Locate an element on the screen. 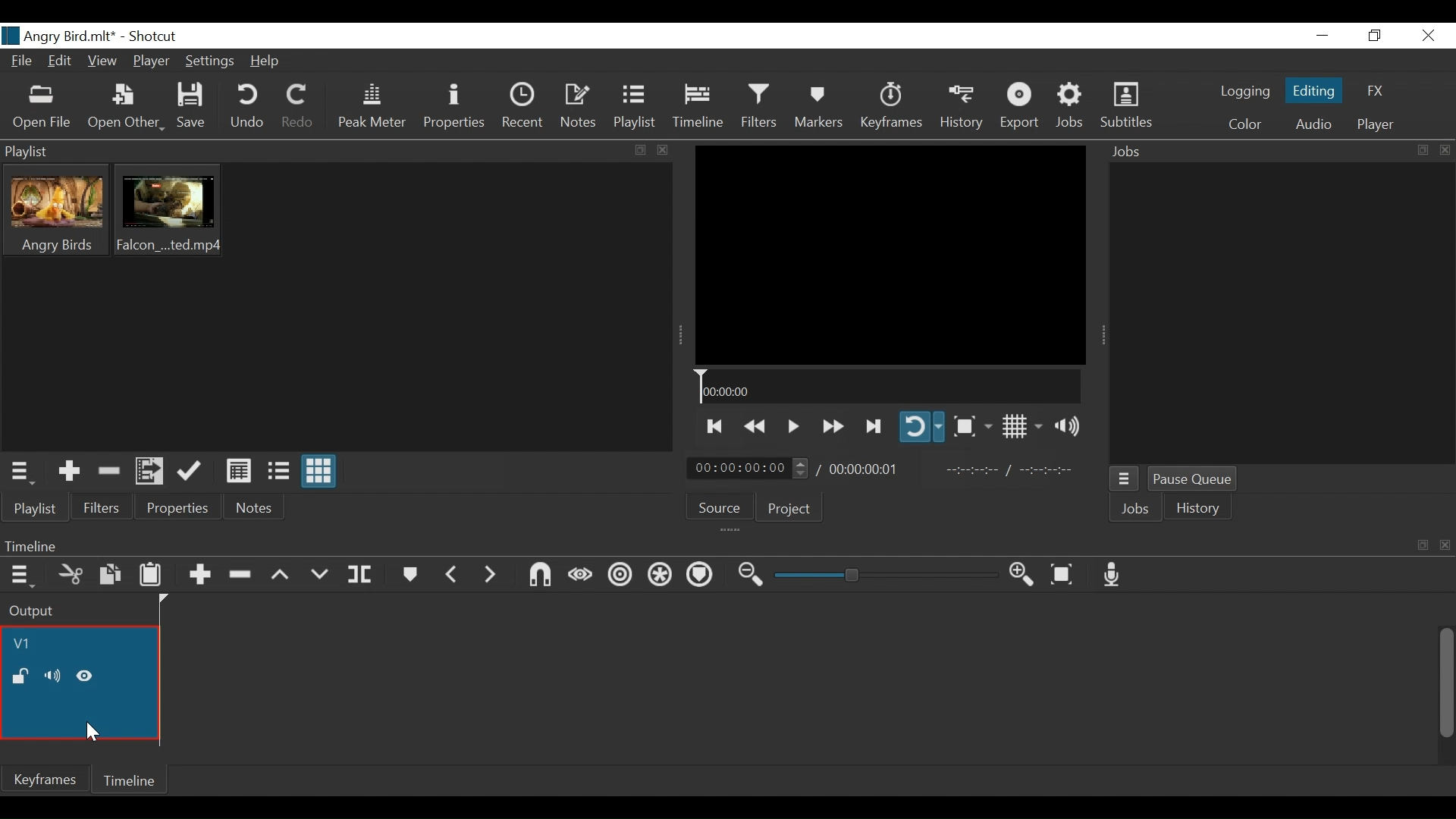 This screenshot has width=1456, height=819. Redo is located at coordinates (298, 108).